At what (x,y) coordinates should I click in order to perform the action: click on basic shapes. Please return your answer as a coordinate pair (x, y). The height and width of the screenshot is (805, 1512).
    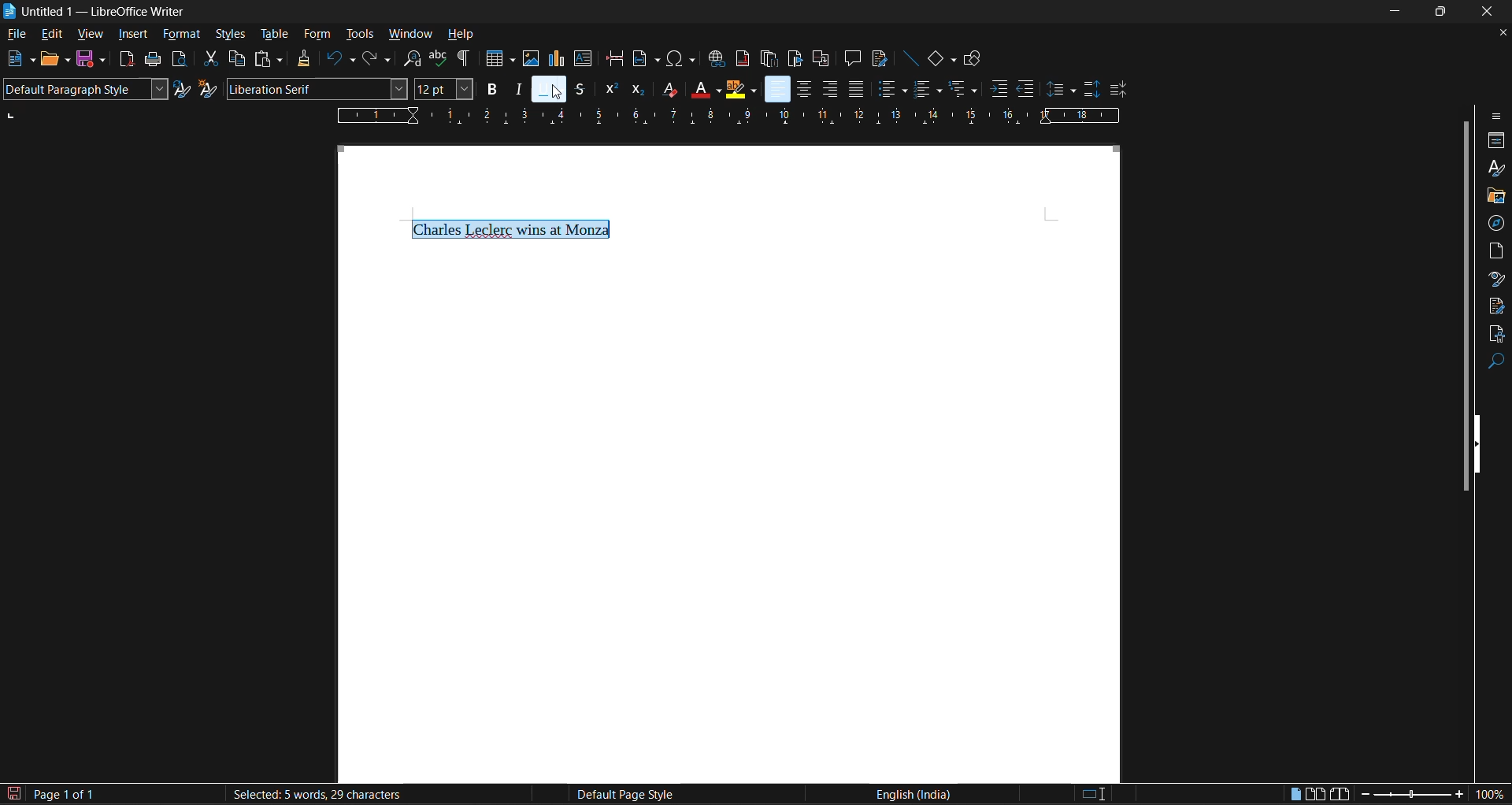
    Looking at the image, I should click on (942, 59).